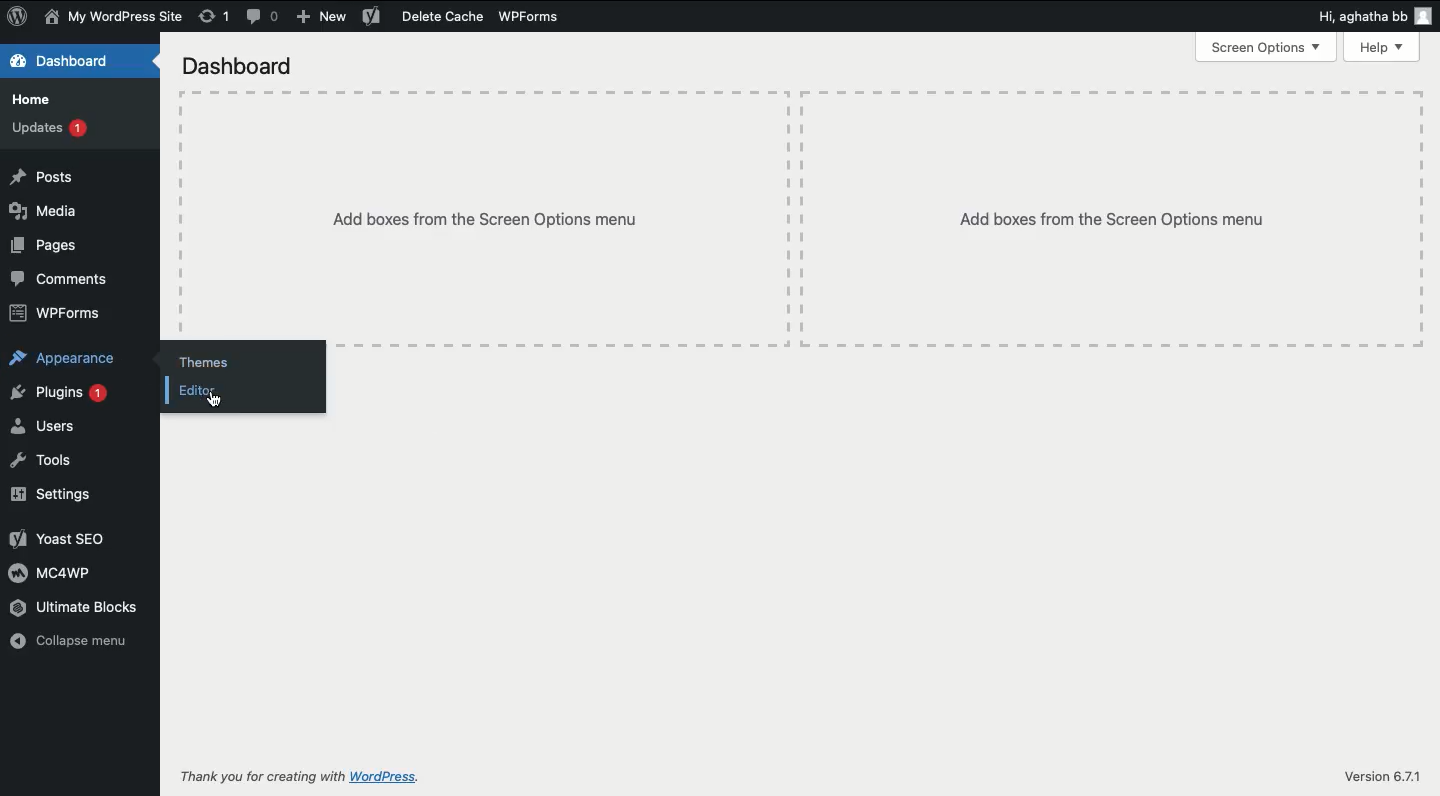 This screenshot has height=796, width=1440. Describe the element at coordinates (324, 15) in the screenshot. I see `+ New` at that location.